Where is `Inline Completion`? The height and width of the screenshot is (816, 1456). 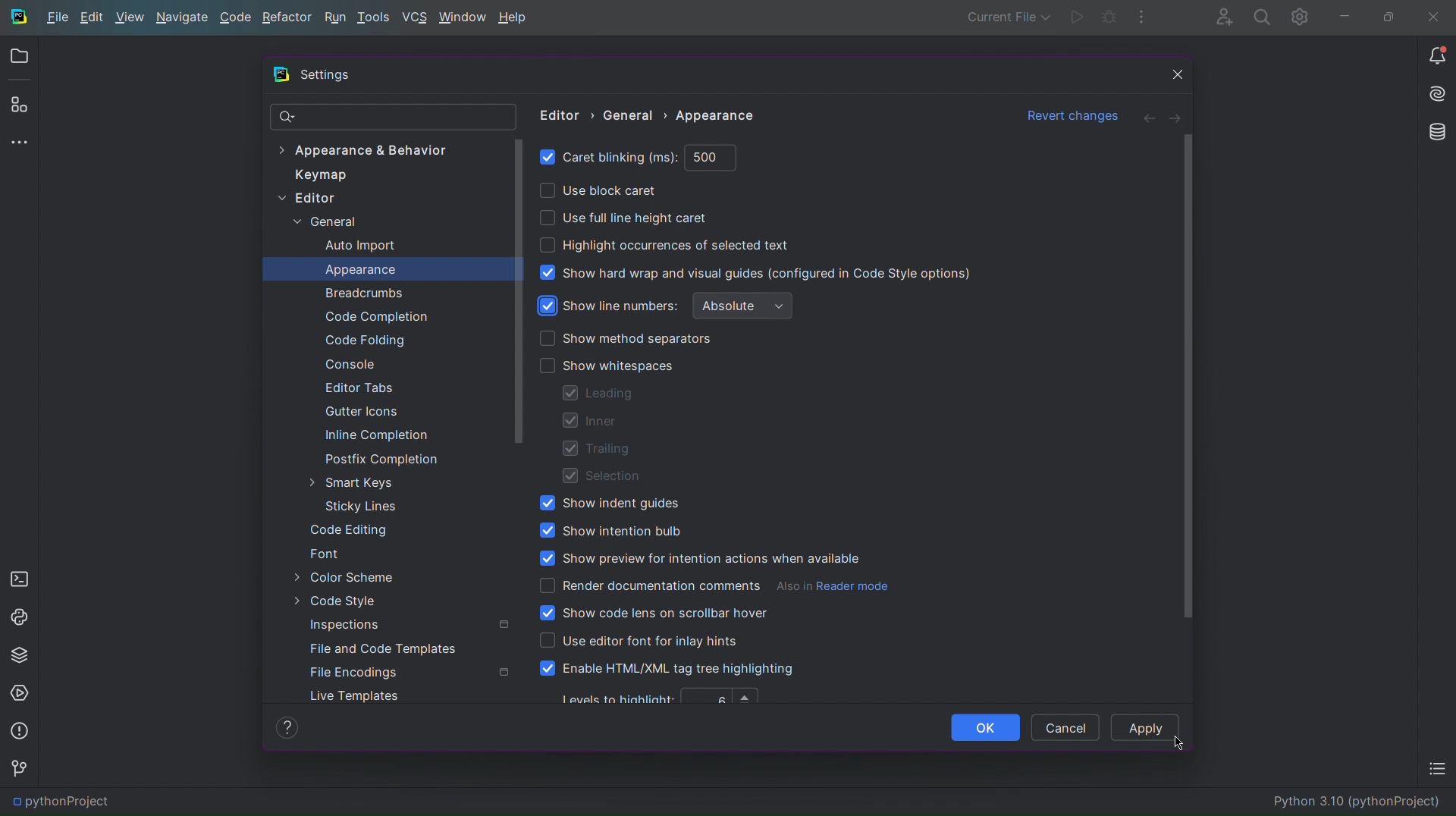
Inline Completion is located at coordinates (375, 437).